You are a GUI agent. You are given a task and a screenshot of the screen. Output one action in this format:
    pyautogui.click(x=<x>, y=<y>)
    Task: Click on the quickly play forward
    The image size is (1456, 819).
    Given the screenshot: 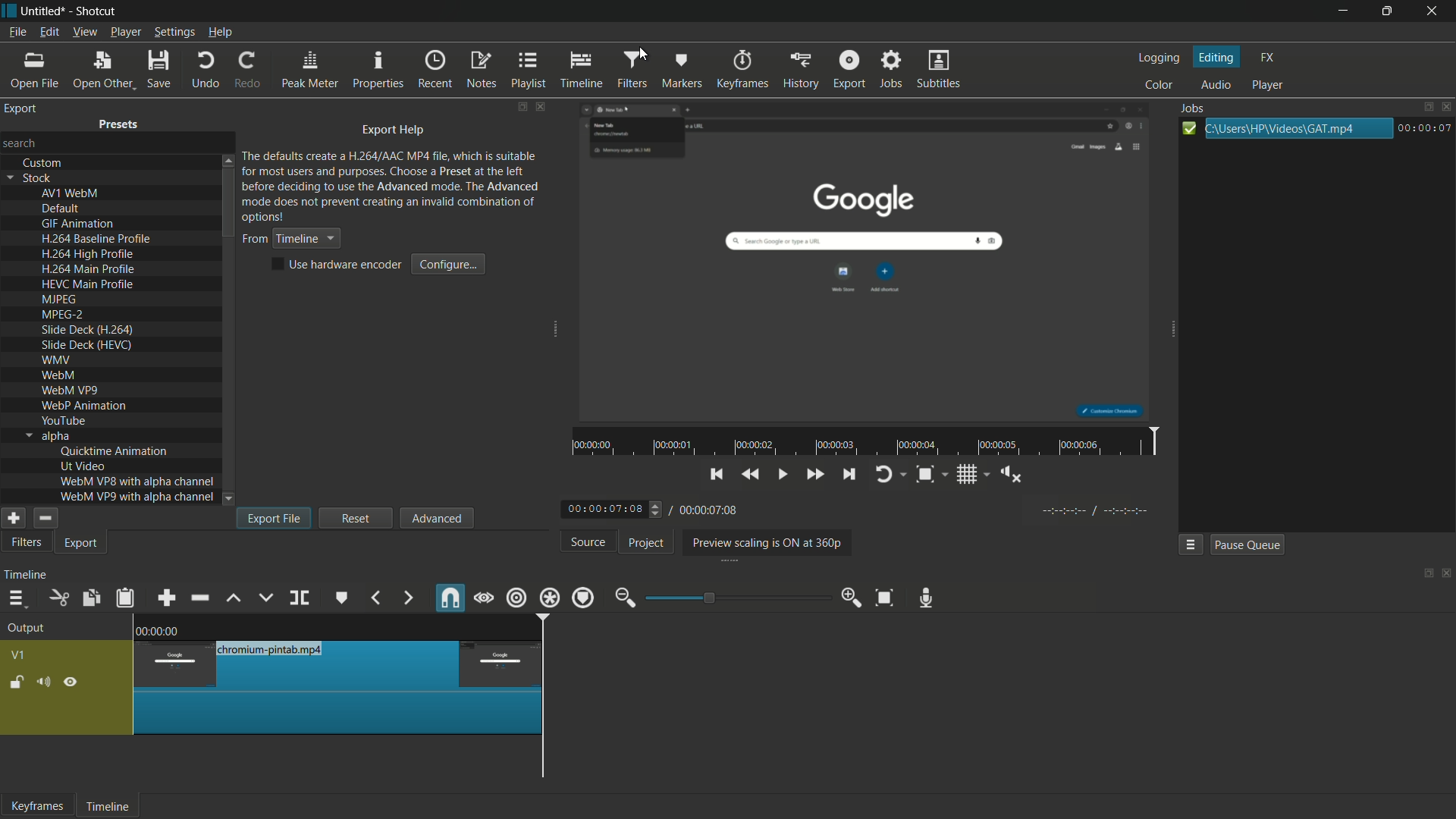 What is the action you would take?
    pyautogui.click(x=813, y=473)
    